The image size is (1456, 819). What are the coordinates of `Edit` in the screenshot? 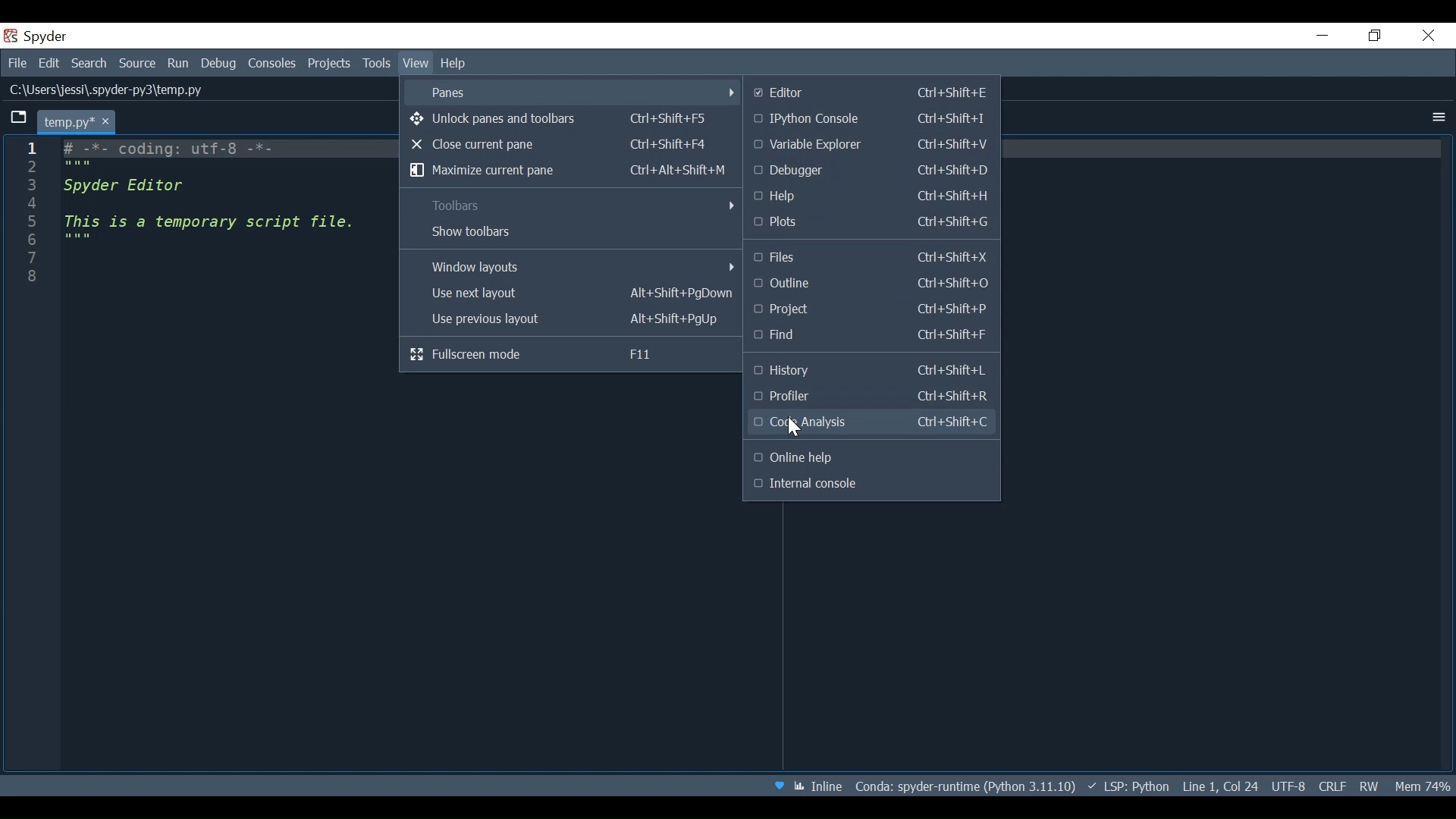 It's located at (49, 61).